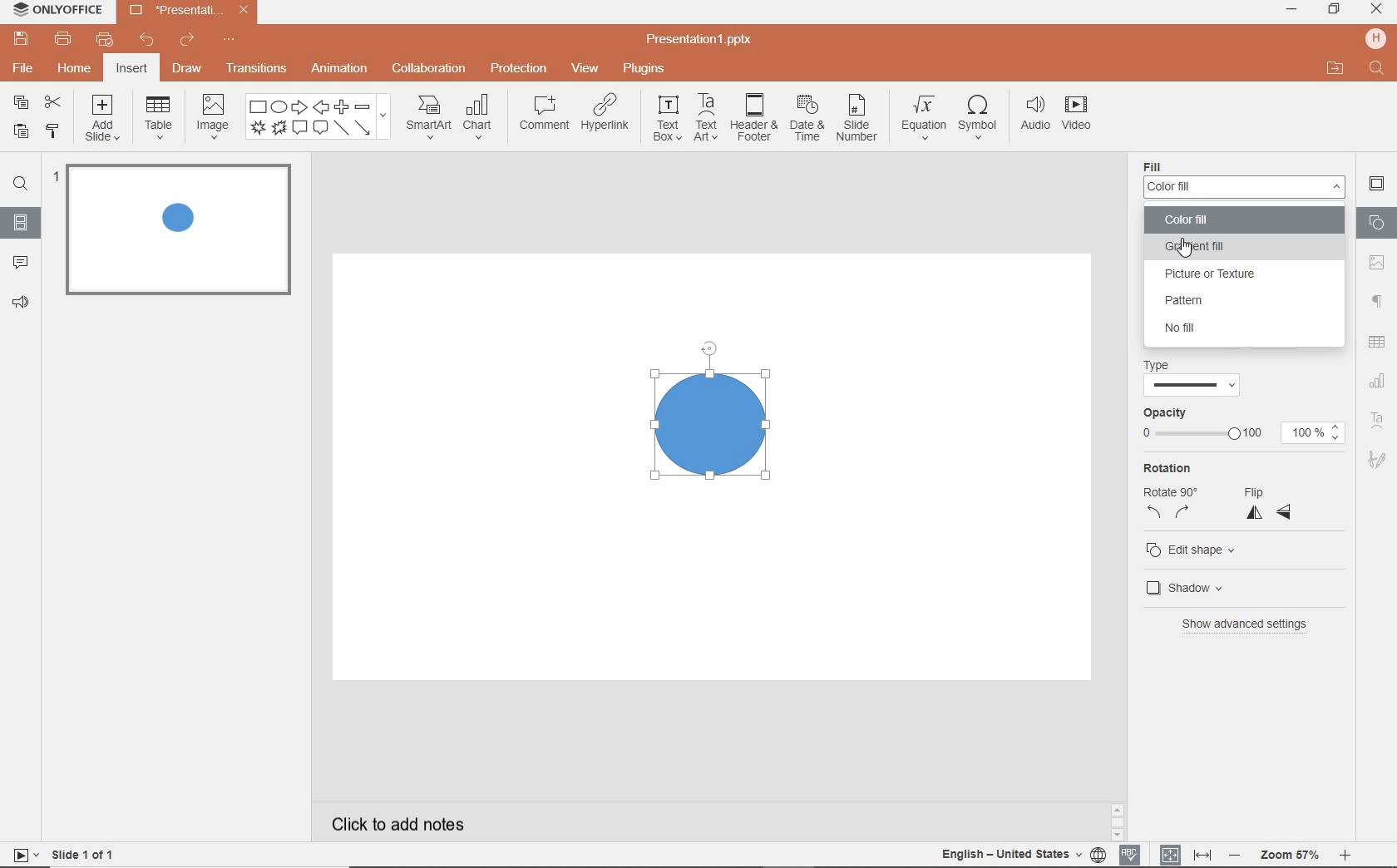 The image size is (1397, 868). Describe the element at coordinates (21, 225) in the screenshot. I see `slides` at that location.